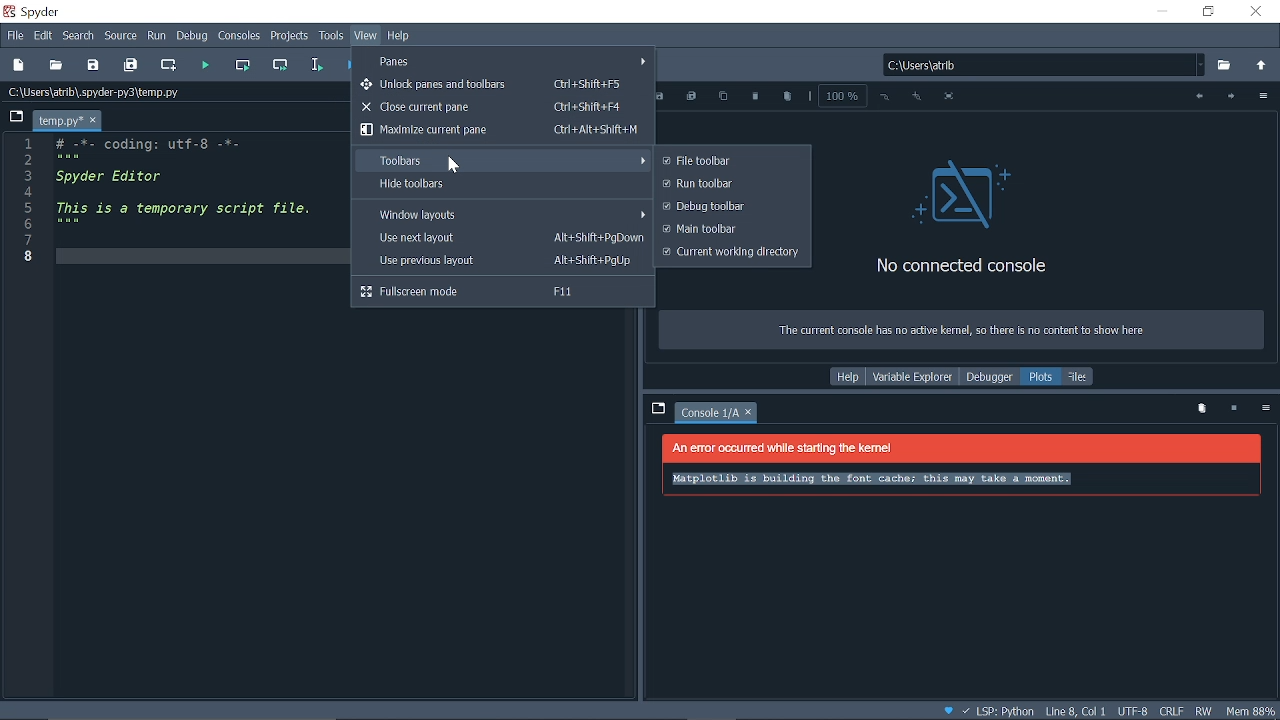  Describe the element at coordinates (453, 167) in the screenshot. I see `cursor` at that location.